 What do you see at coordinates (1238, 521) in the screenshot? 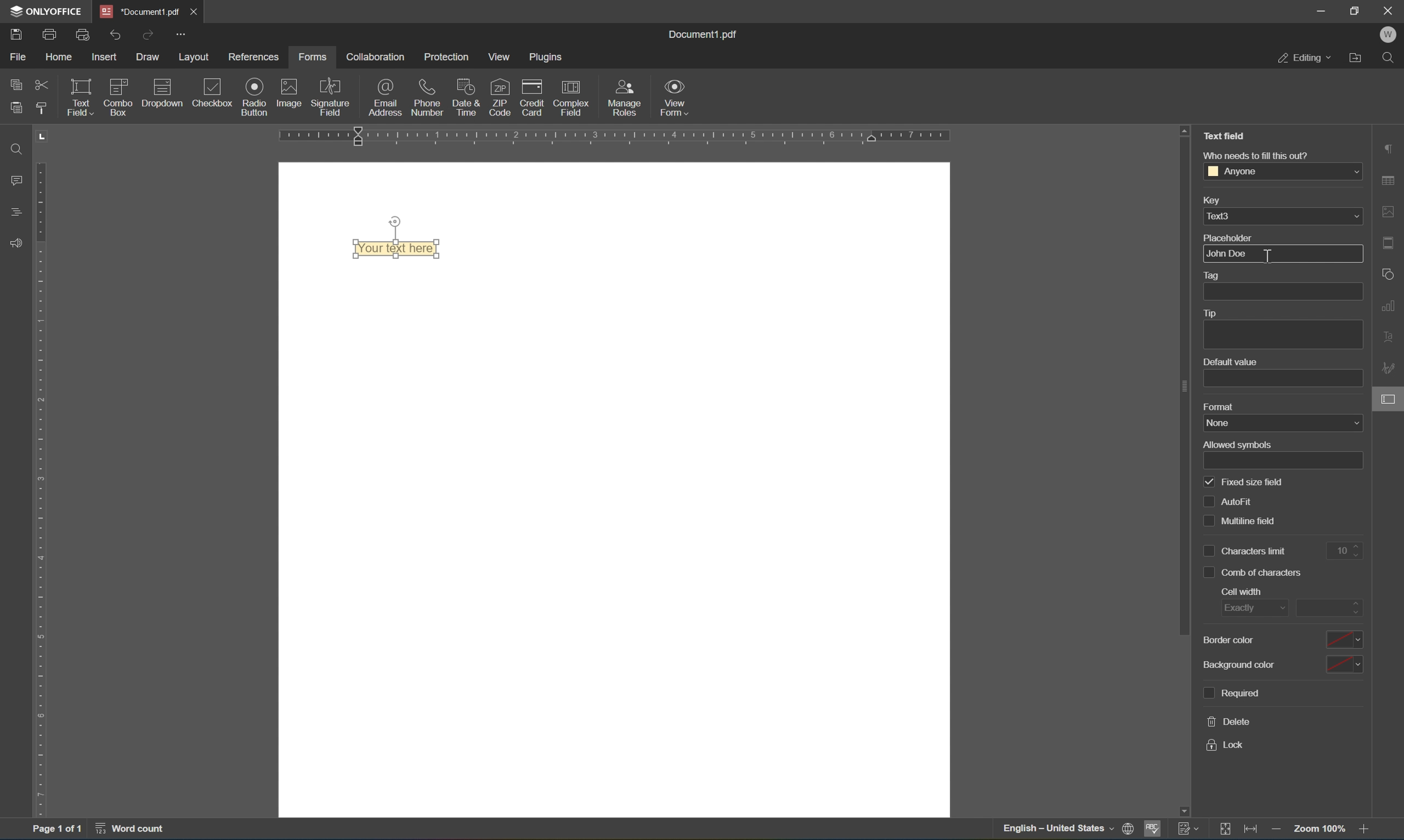
I see `multiline field` at bounding box center [1238, 521].